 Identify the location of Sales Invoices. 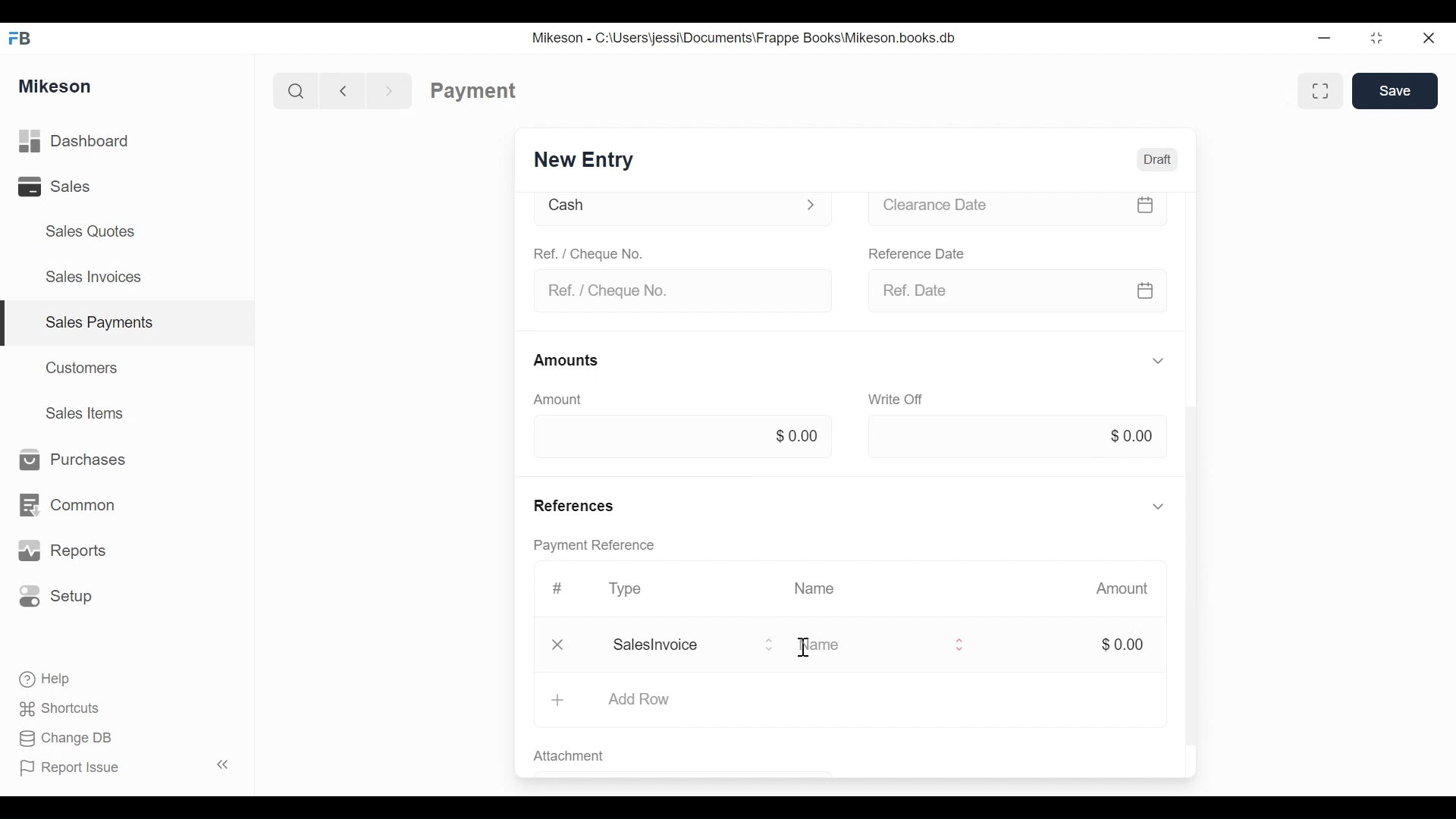
(88, 278).